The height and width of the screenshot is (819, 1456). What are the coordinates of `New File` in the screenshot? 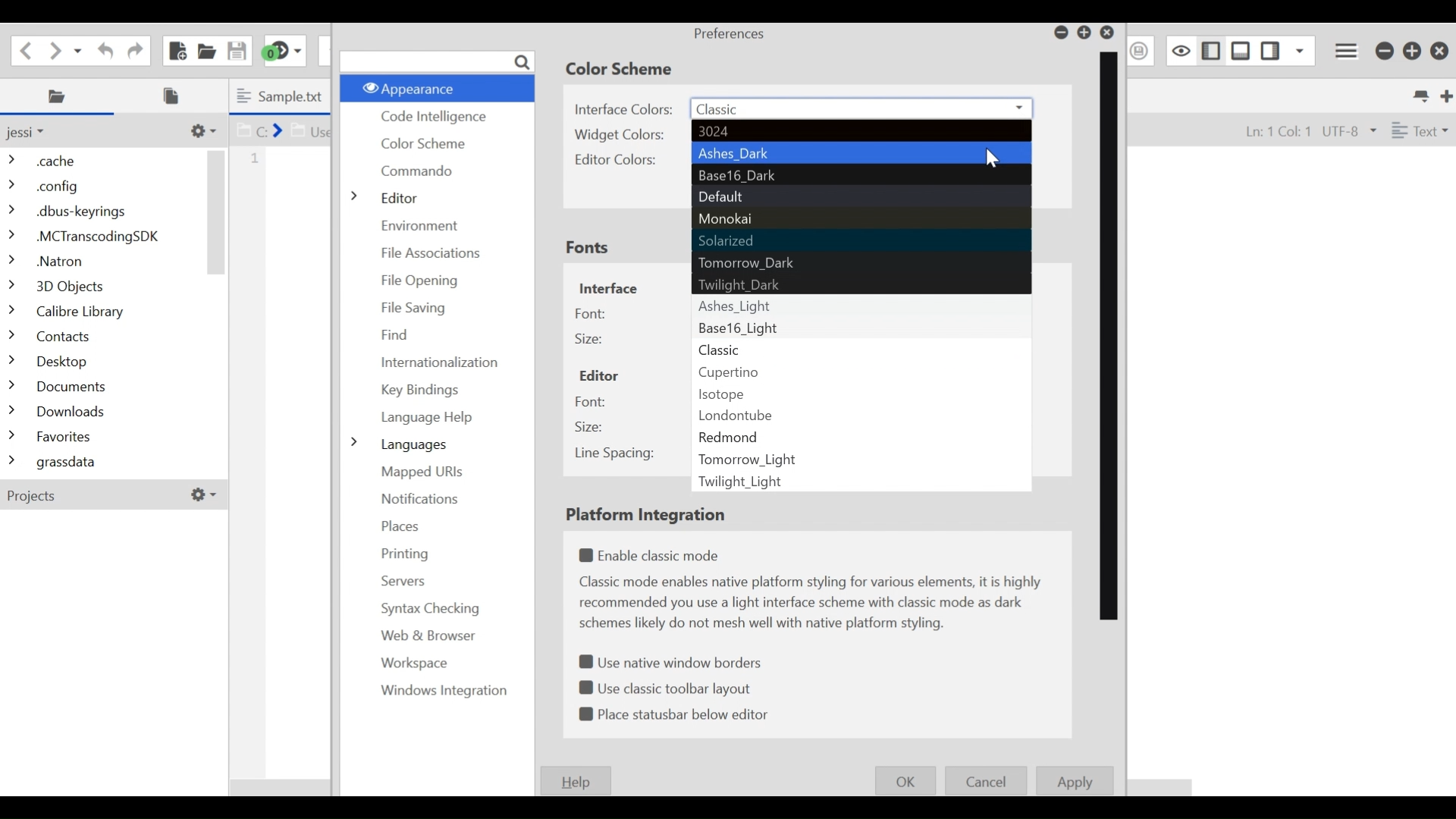 It's located at (176, 50).